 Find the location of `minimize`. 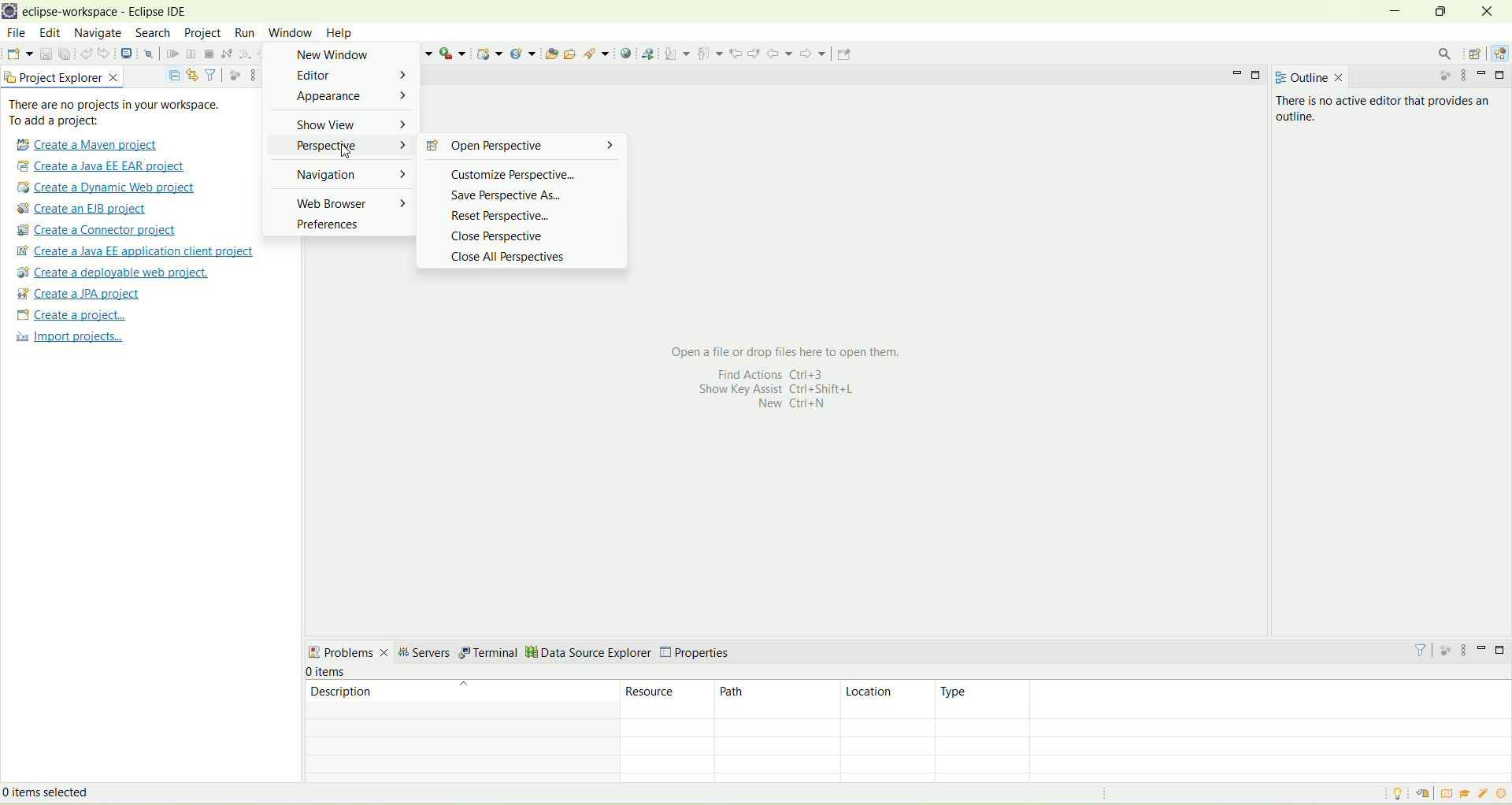

minimize is located at coordinates (1482, 647).